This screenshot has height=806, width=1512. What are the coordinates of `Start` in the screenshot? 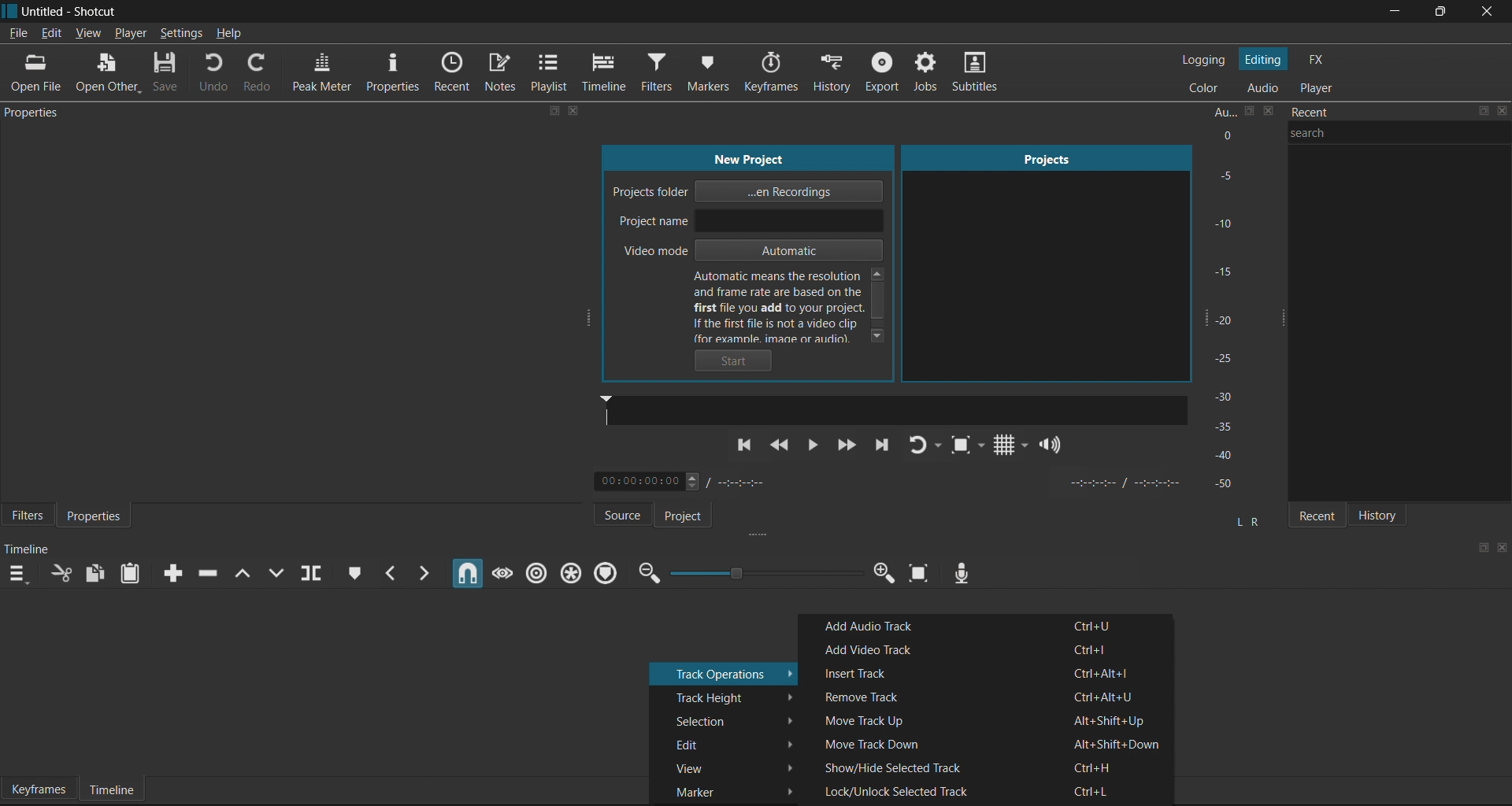 It's located at (738, 361).